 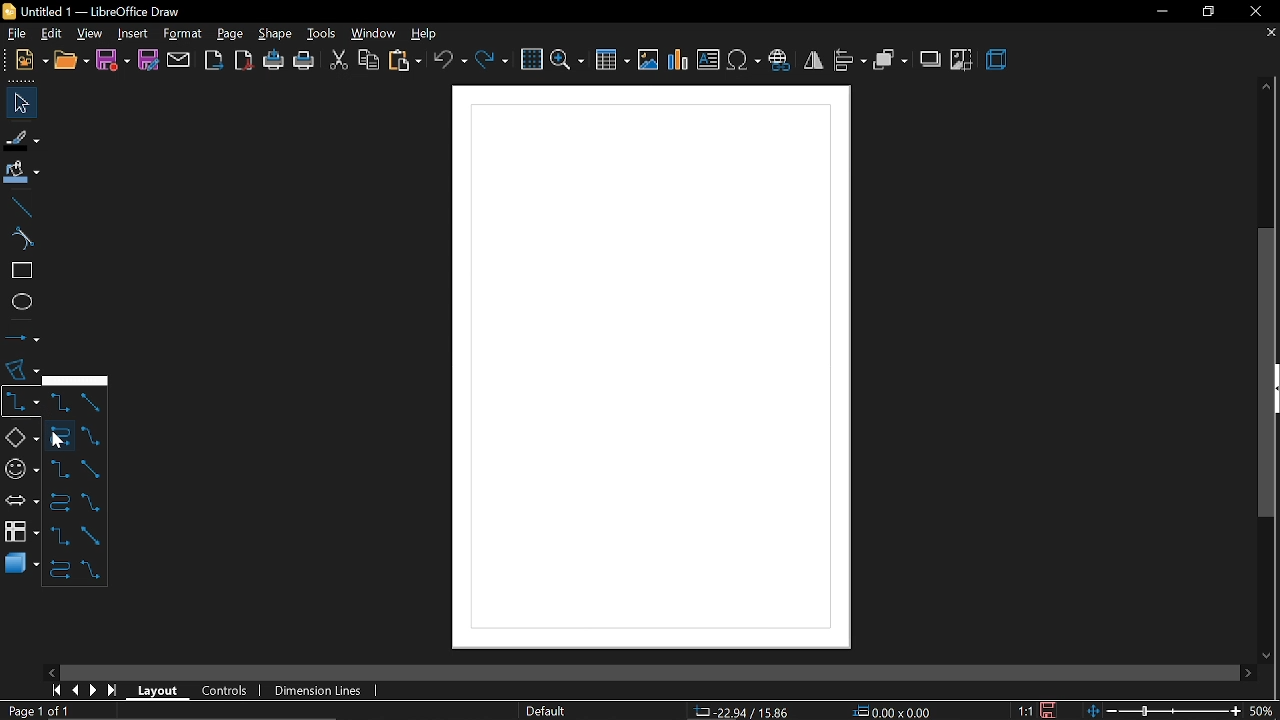 What do you see at coordinates (69, 62) in the screenshot?
I see `open` at bounding box center [69, 62].